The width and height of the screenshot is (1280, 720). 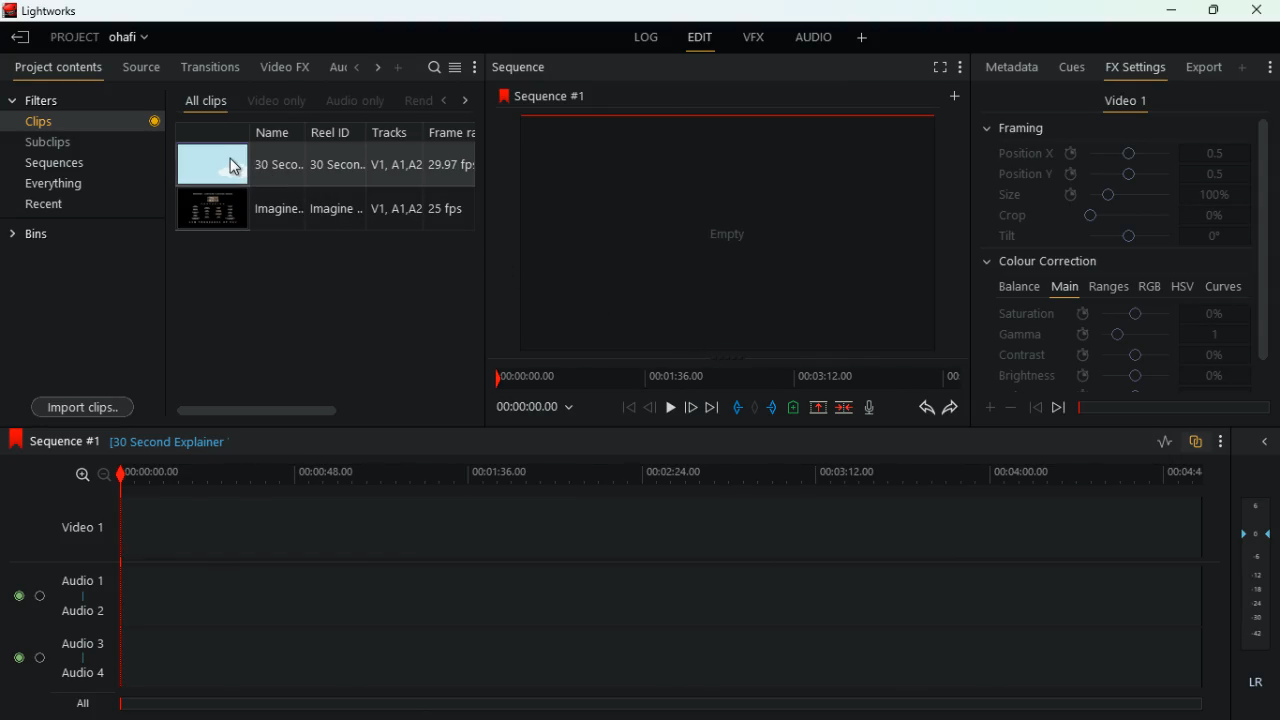 I want to click on colour correction, so click(x=1048, y=261).